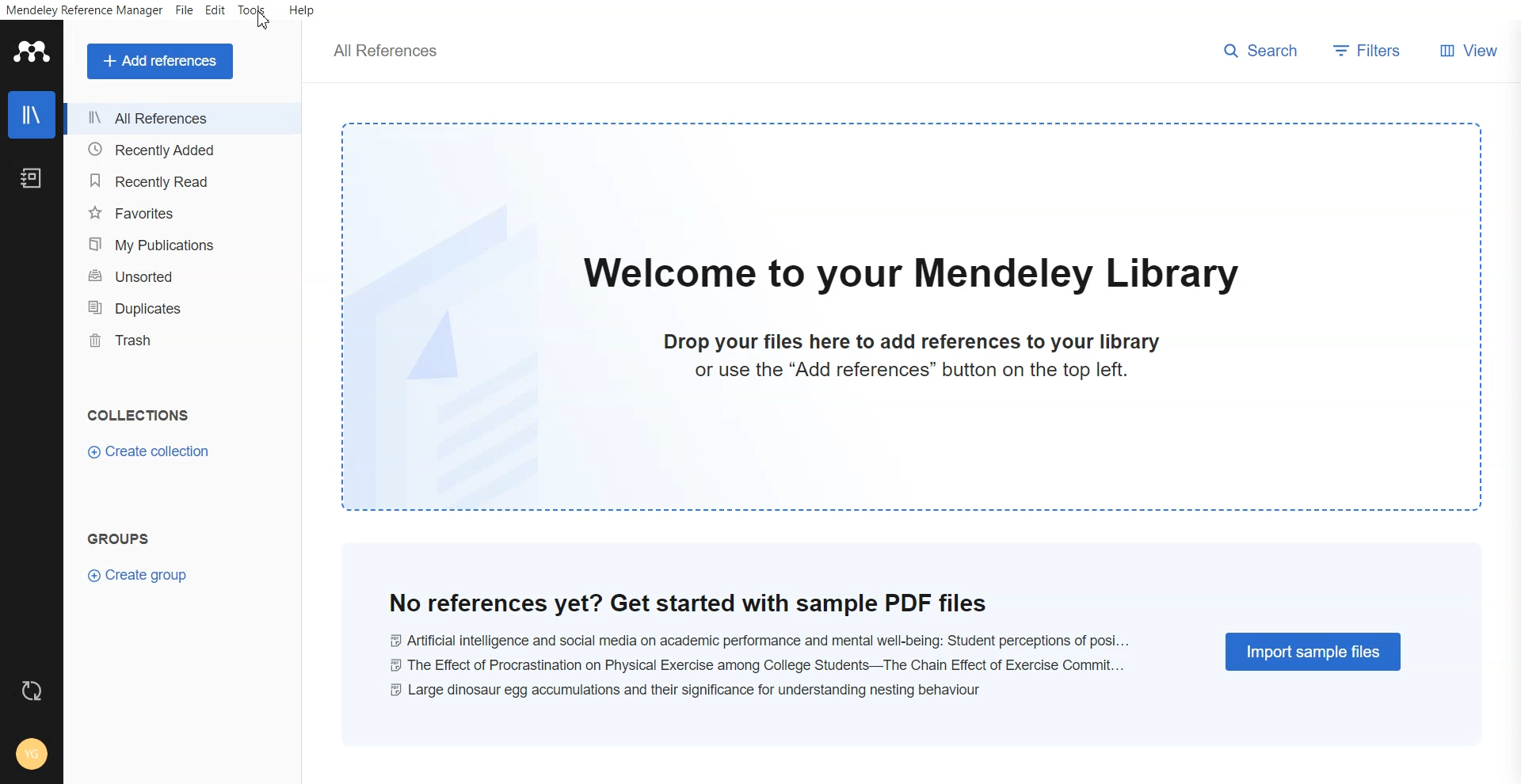  What do you see at coordinates (140, 573) in the screenshot?
I see `Create Group` at bounding box center [140, 573].